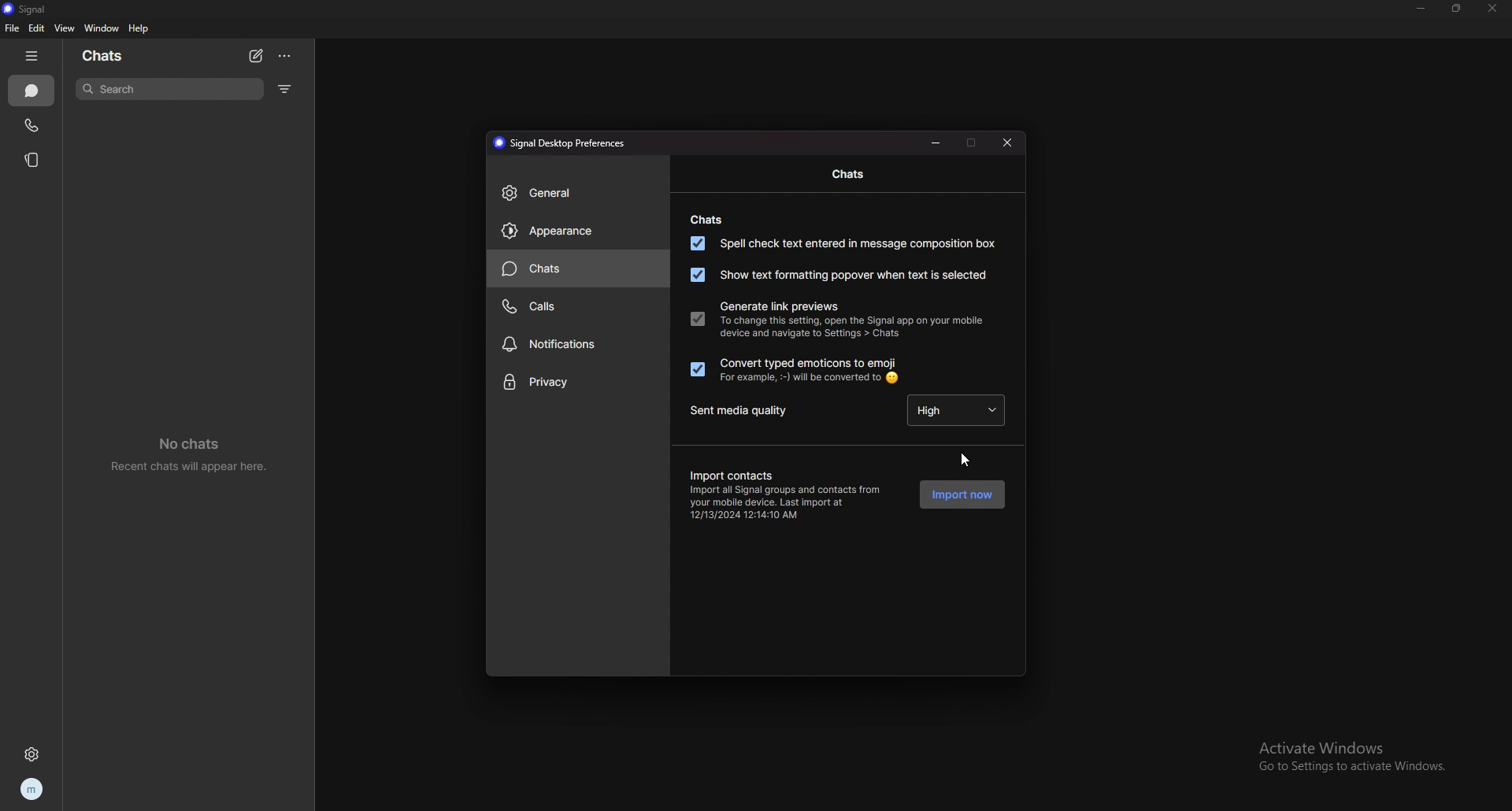 This screenshot has width=1512, height=811. What do you see at coordinates (139, 28) in the screenshot?
I see `help` at bounding box center [139, 28].